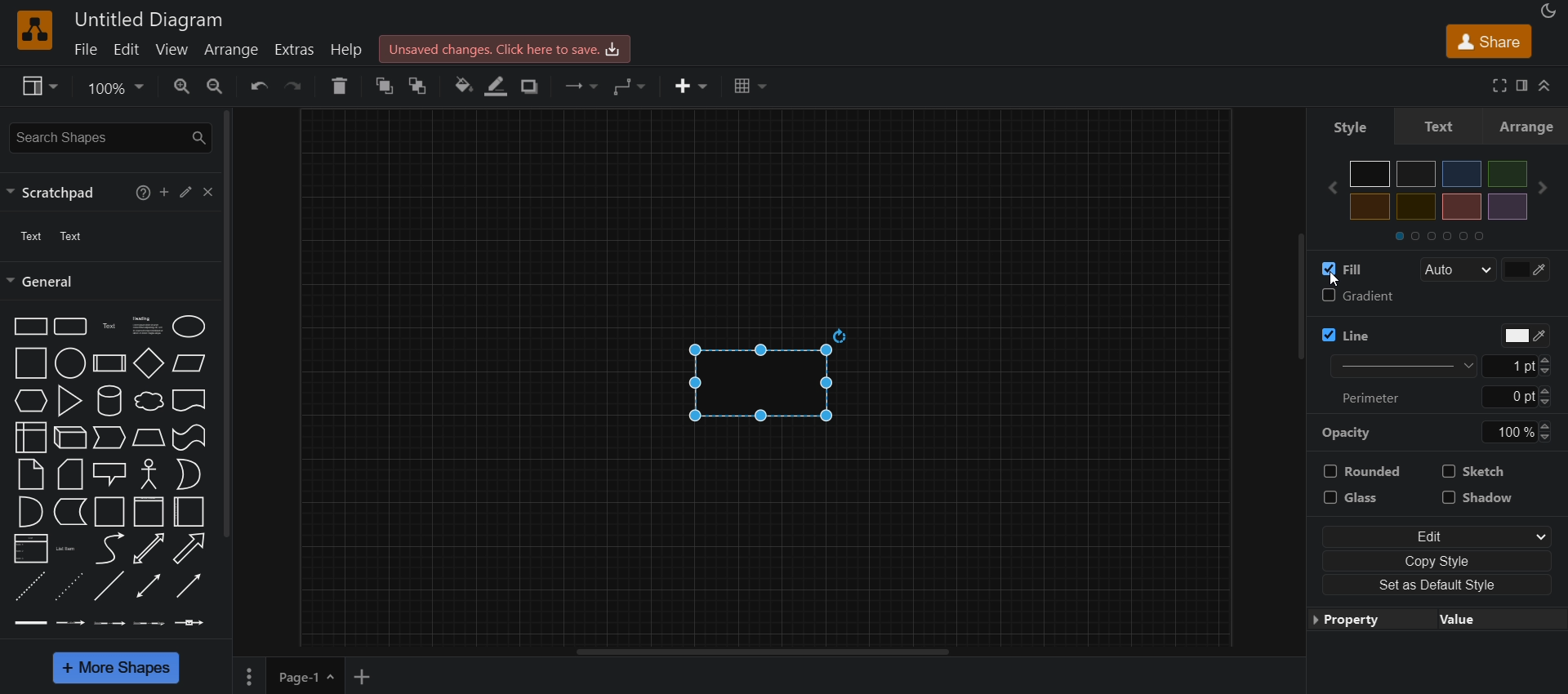 This screenshot has width=1568, height=694. Describe the element at coordinates (51, 236) in the screenshot. I see `text` at that location.